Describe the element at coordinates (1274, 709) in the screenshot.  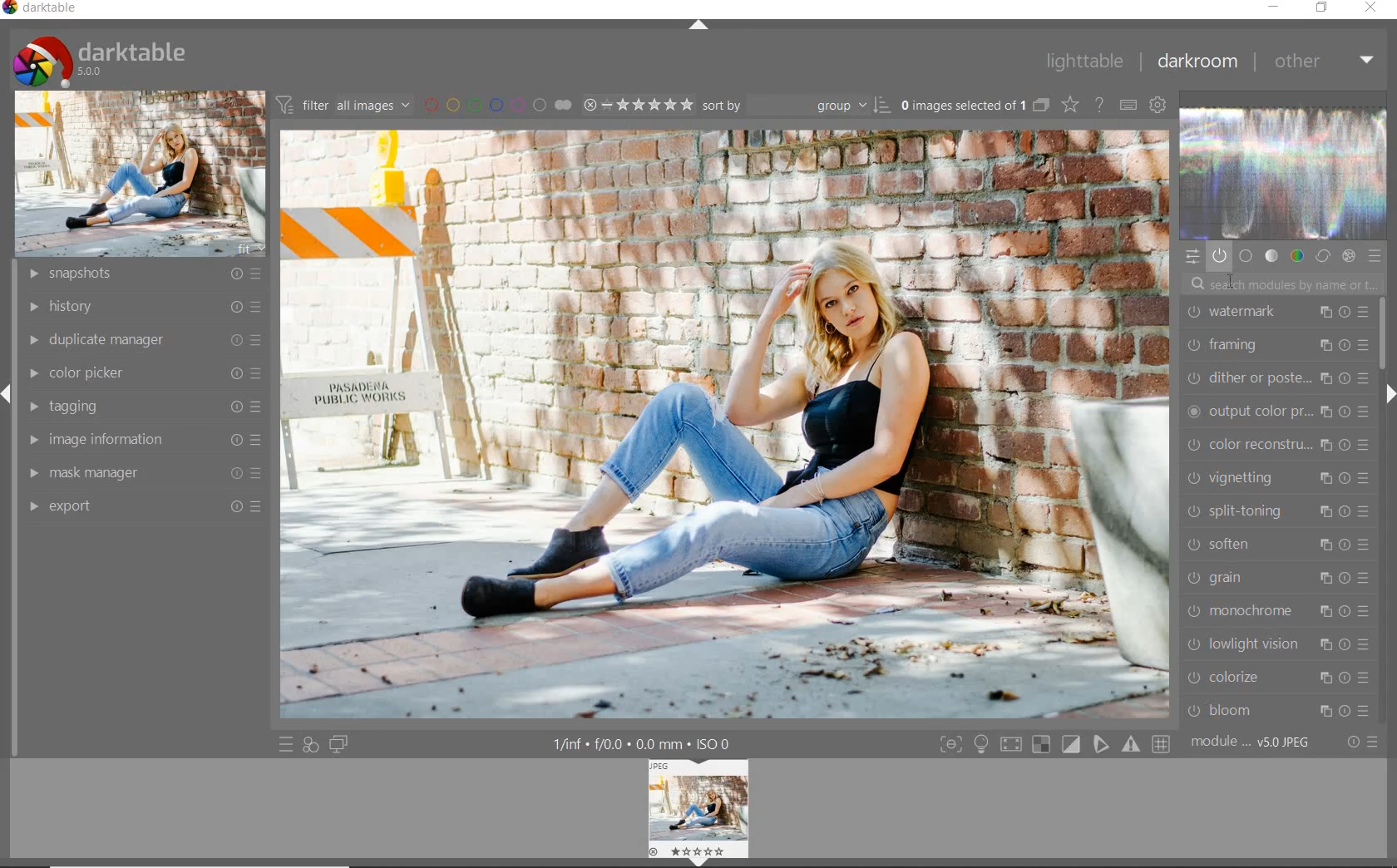
I see `bloom` at that location.